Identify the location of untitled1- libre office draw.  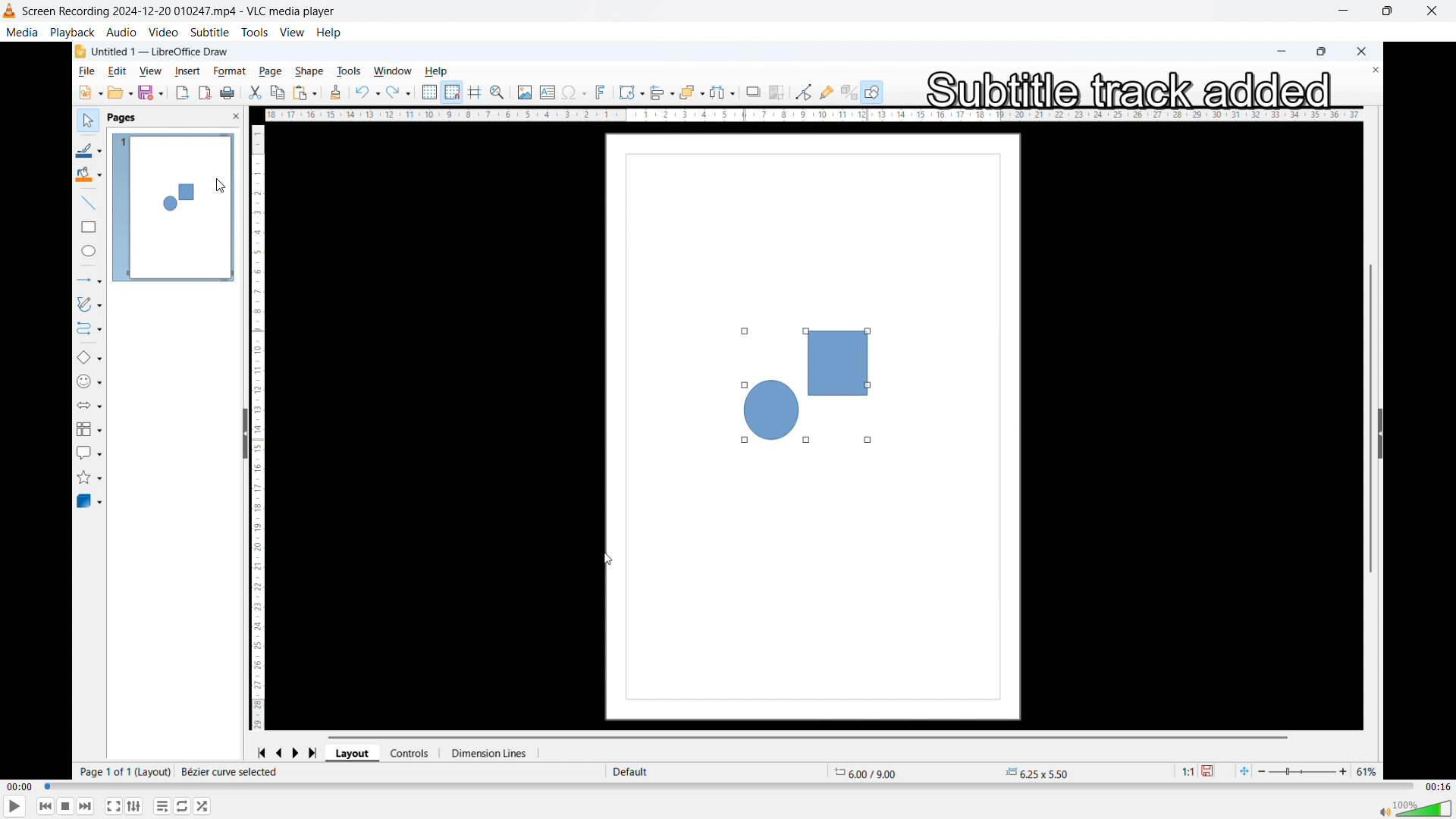
(167, 50).